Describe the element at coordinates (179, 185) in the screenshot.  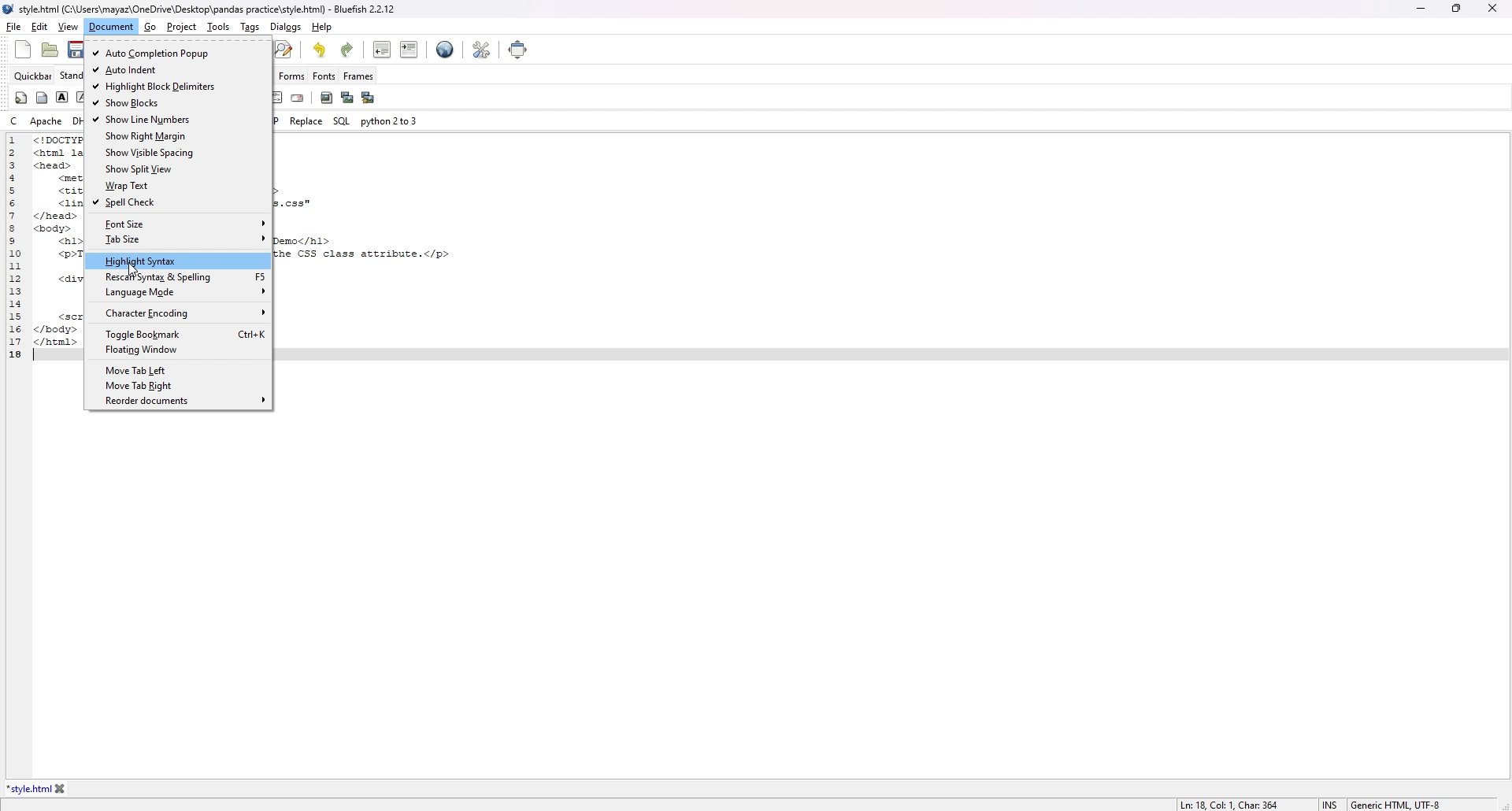
I see `wrap text` at that location.